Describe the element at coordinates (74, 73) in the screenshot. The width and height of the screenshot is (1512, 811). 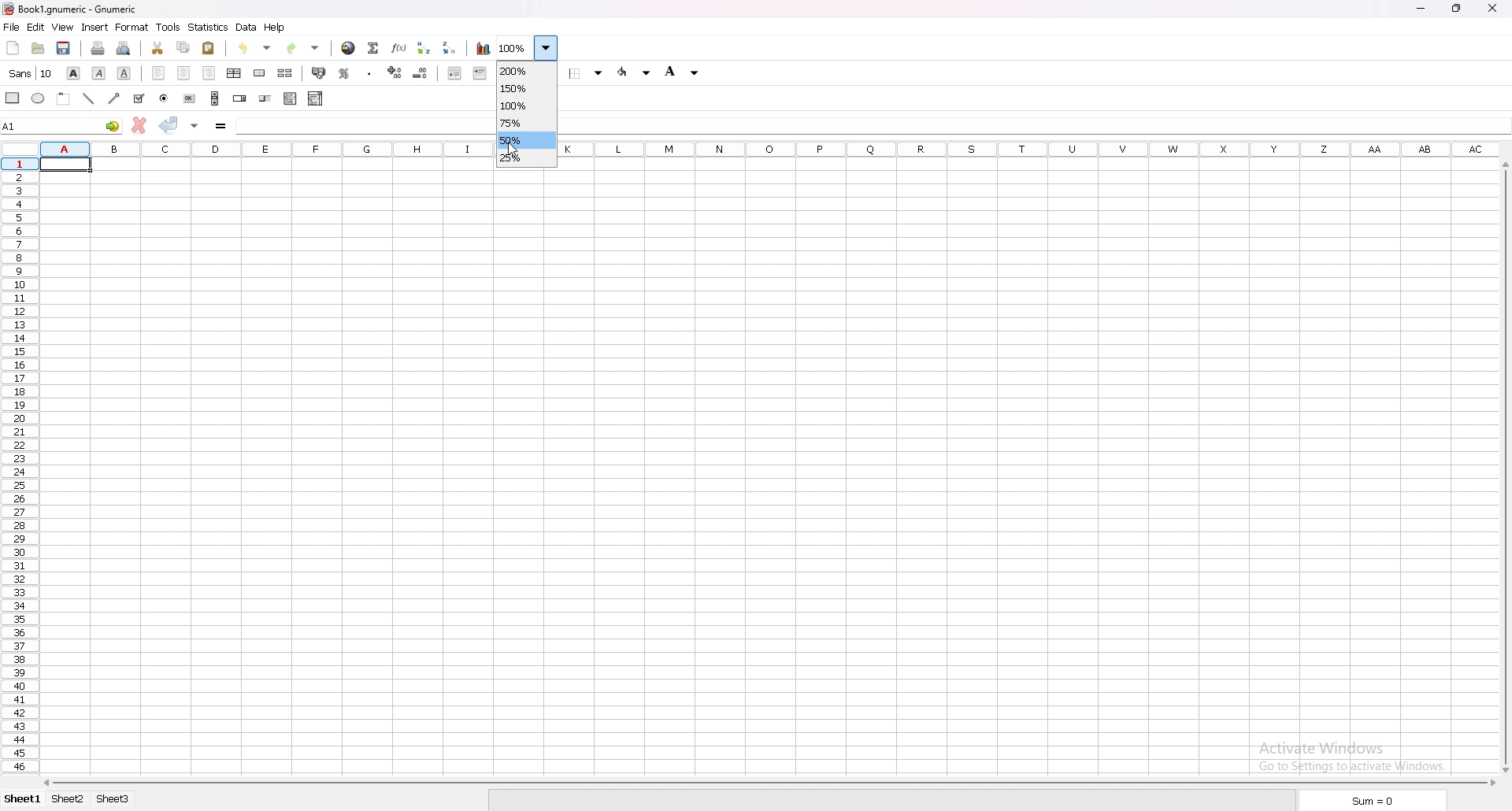
I see `bold` at that location.